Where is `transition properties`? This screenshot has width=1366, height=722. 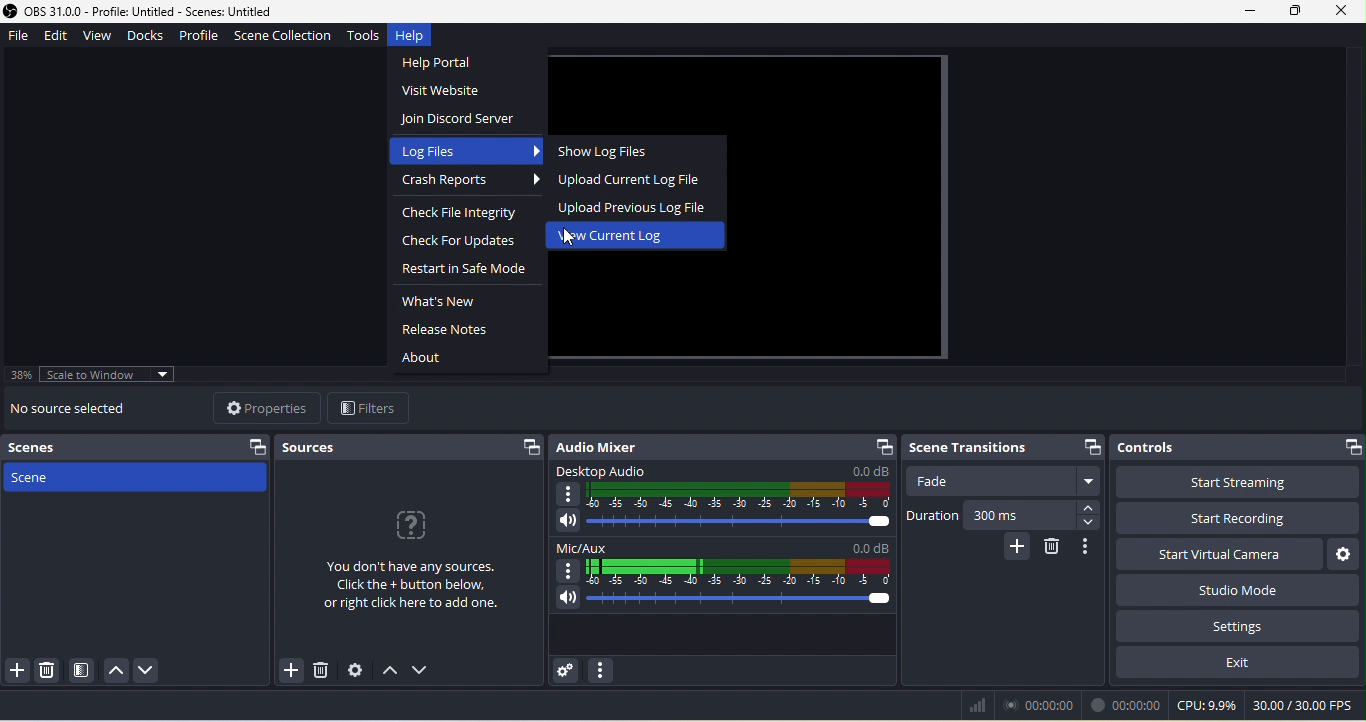 transition properties is located at coordinates (1091, 548).